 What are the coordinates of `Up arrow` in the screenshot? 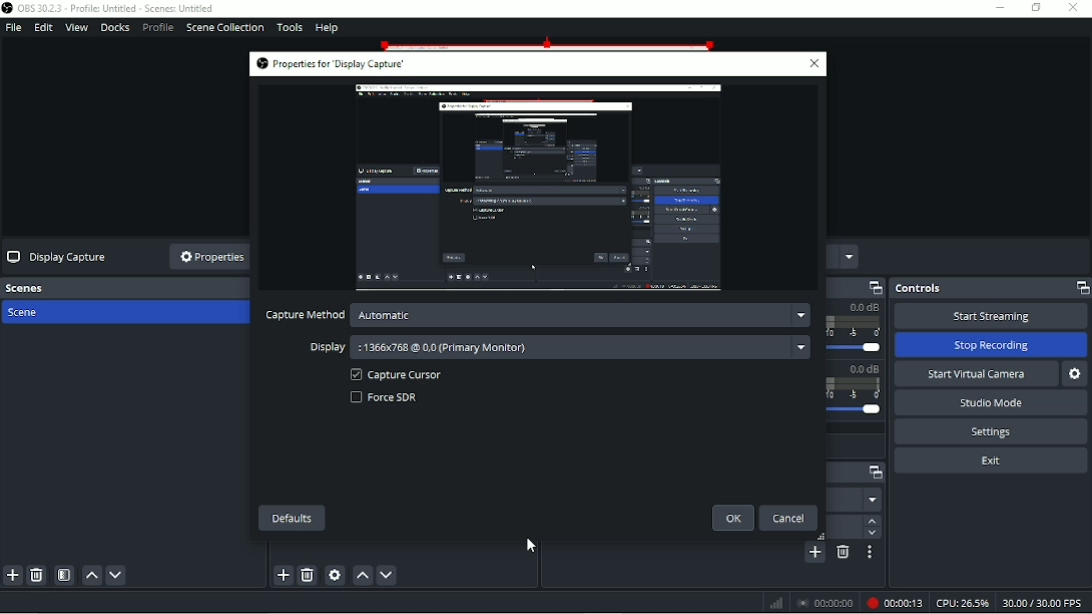 It's located at (857, 520).